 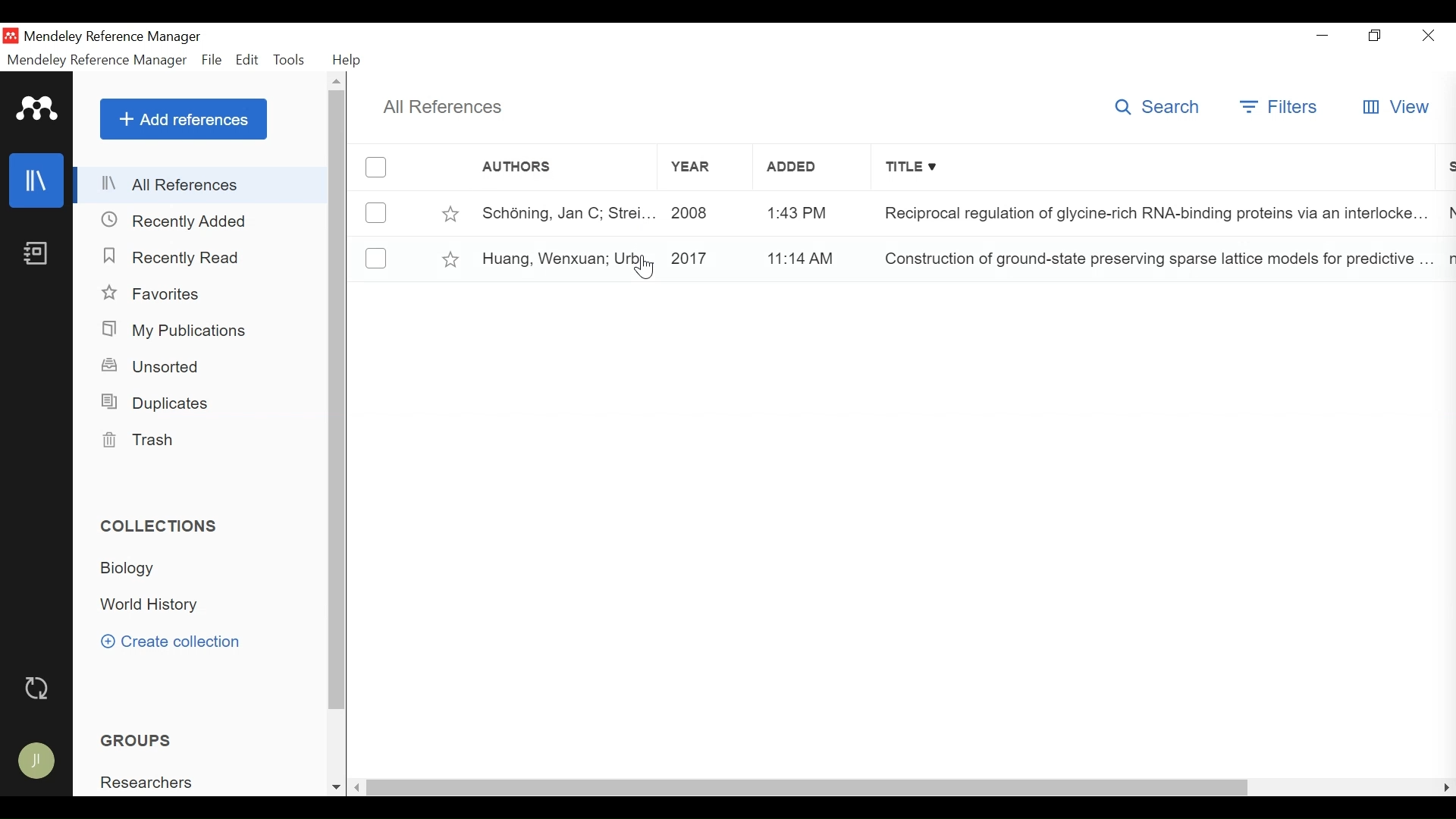 What do you see at coordinates (337, 80) in the screenshot?
I see `Scroll up` at bounding box center [337, 80].